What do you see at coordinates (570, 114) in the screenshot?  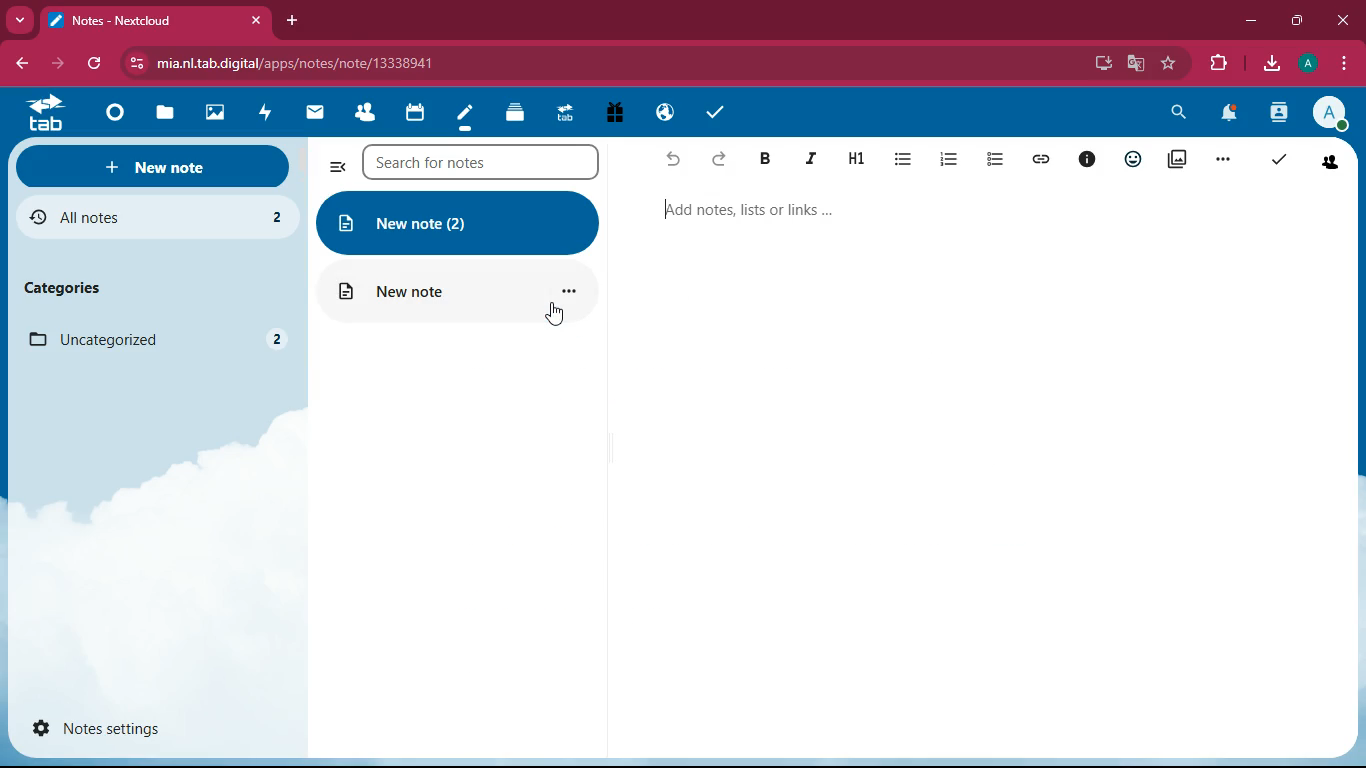 I see `tab` at bounding box center [570, 114].